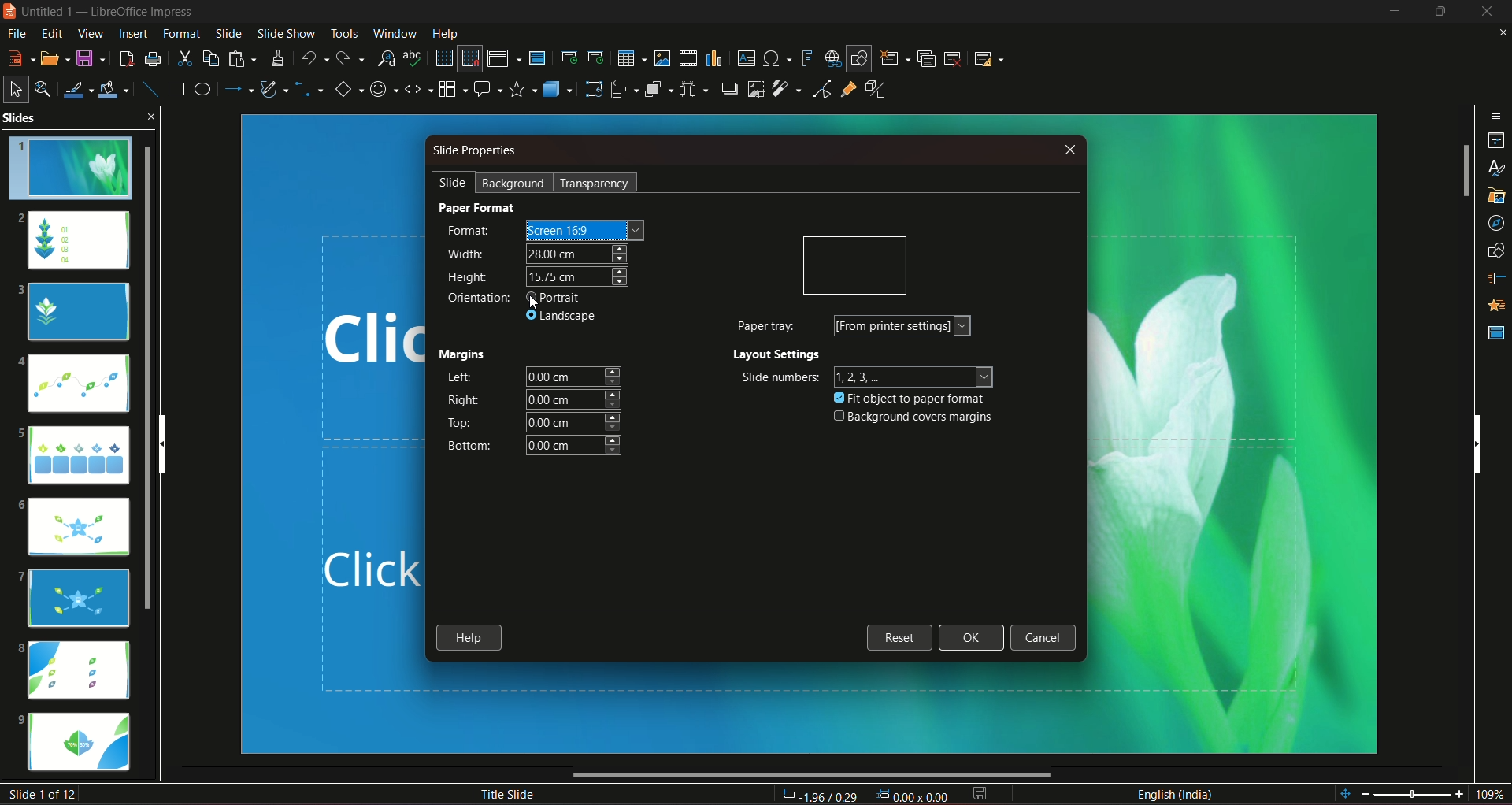  Describe the element at coordinates (813, 776) in the screenshot. I see `horizontal scroll bar` at that location.